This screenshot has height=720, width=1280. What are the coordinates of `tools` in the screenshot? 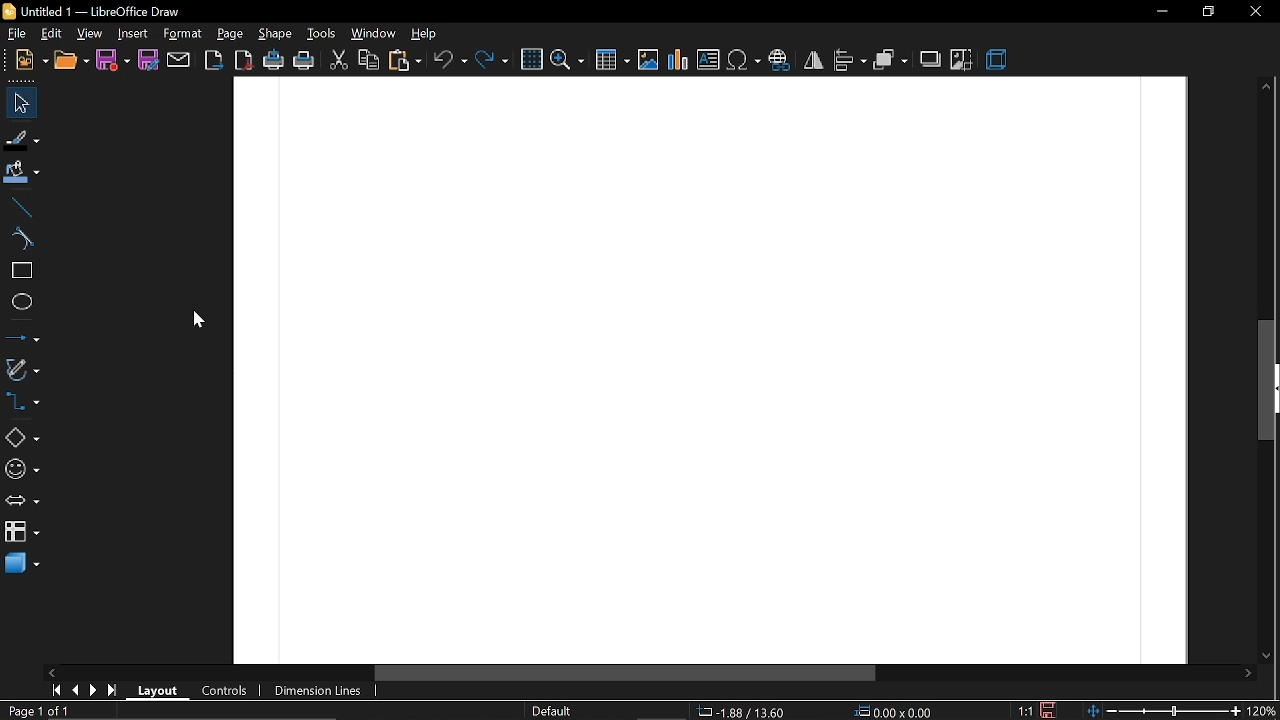 It's located at (322, 34).